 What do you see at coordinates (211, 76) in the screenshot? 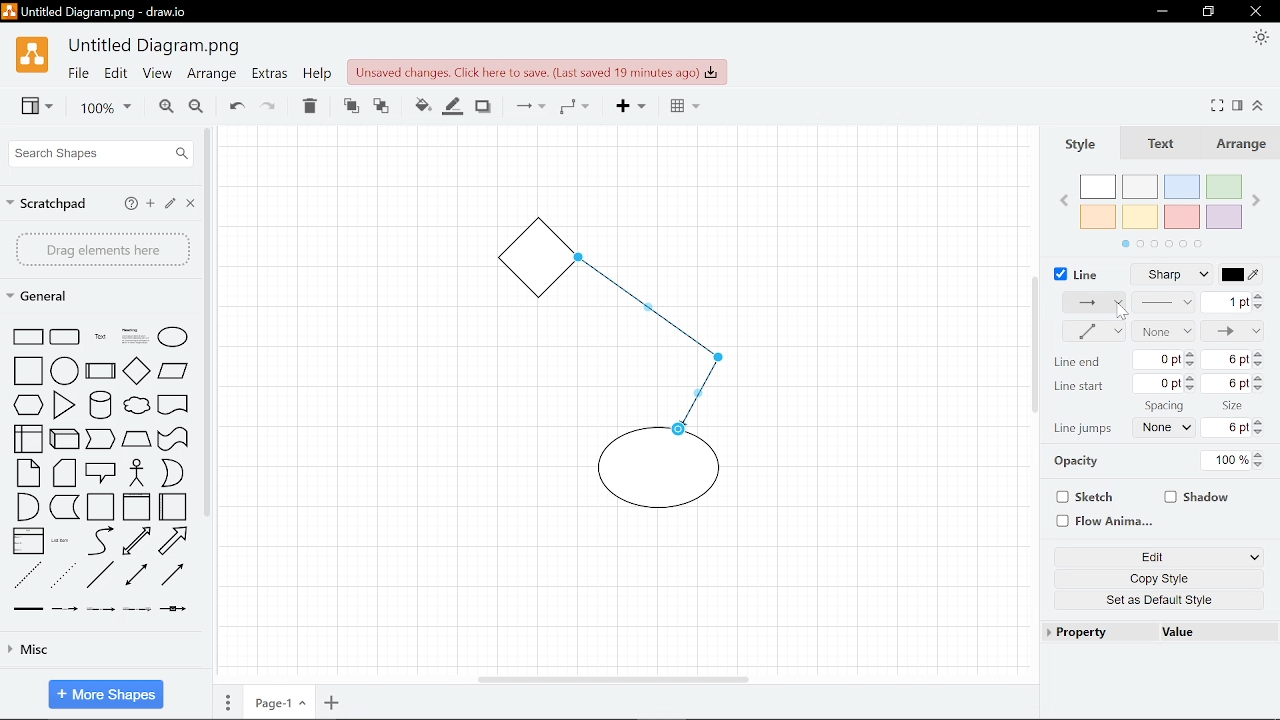
I see `Arrange` at bounding box center [211, 76].